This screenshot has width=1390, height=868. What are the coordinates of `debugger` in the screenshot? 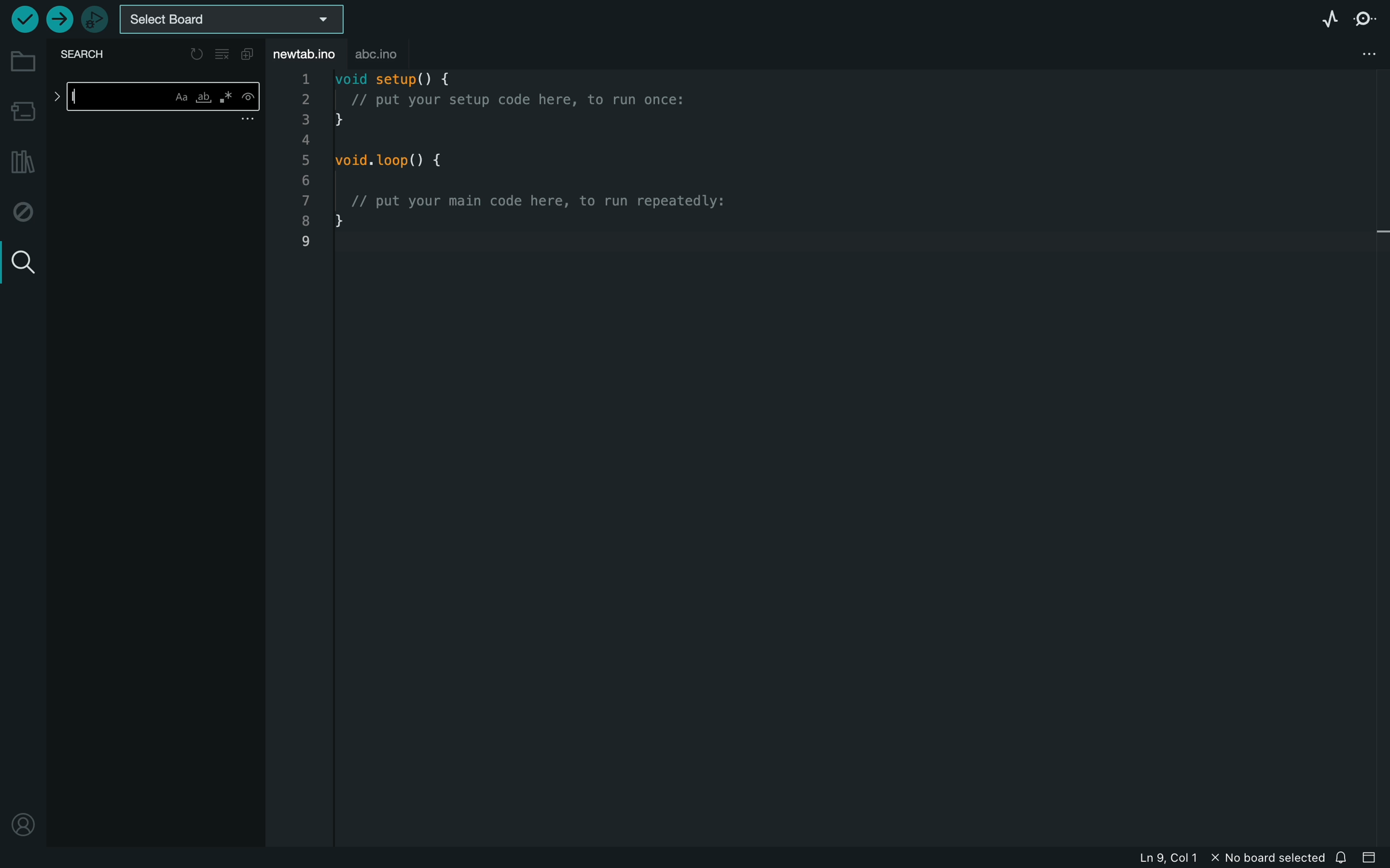 It's located at (94, 19).